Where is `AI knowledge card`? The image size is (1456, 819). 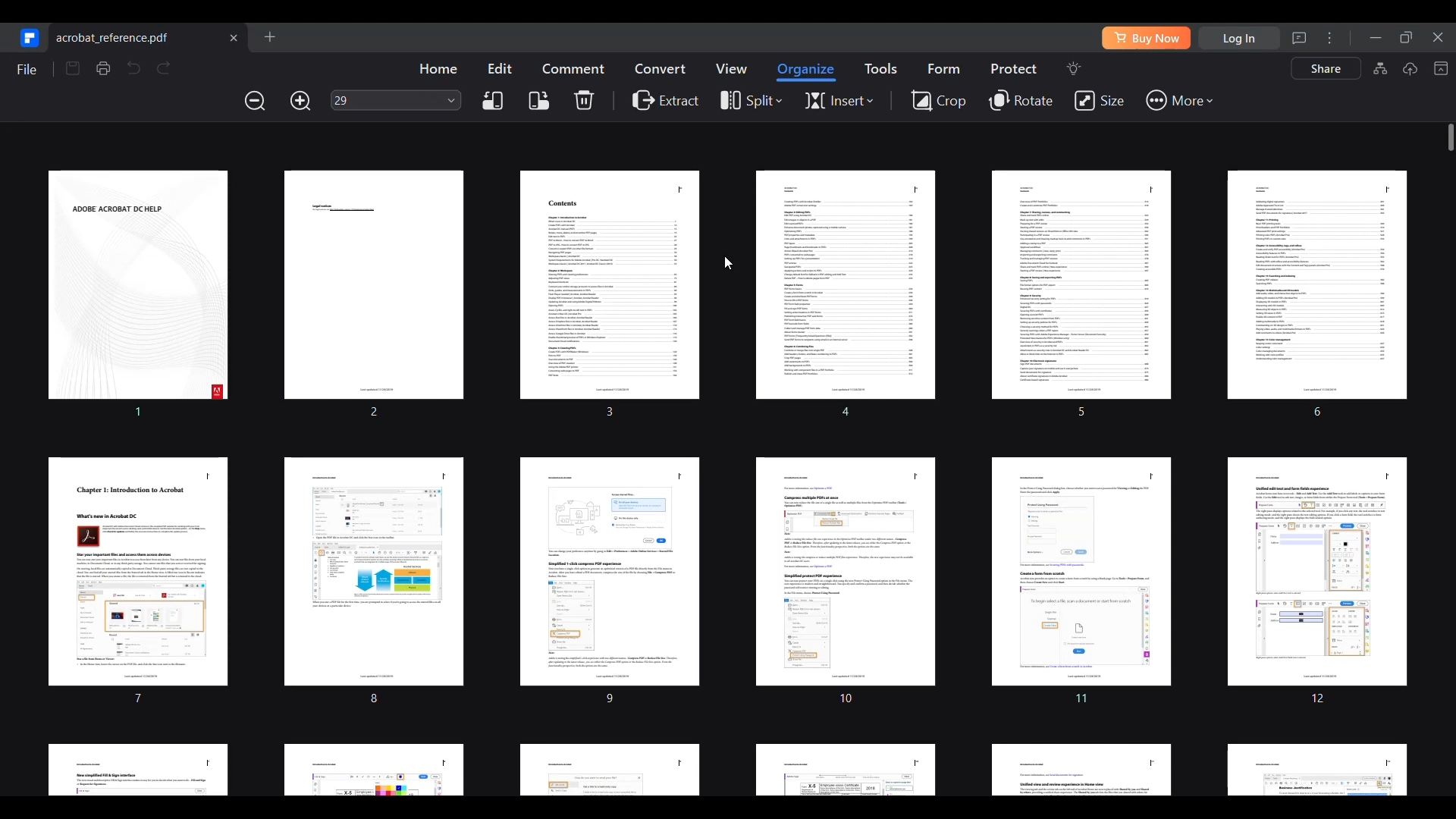 AI knowledge card is located at coordinates (1380, 68).